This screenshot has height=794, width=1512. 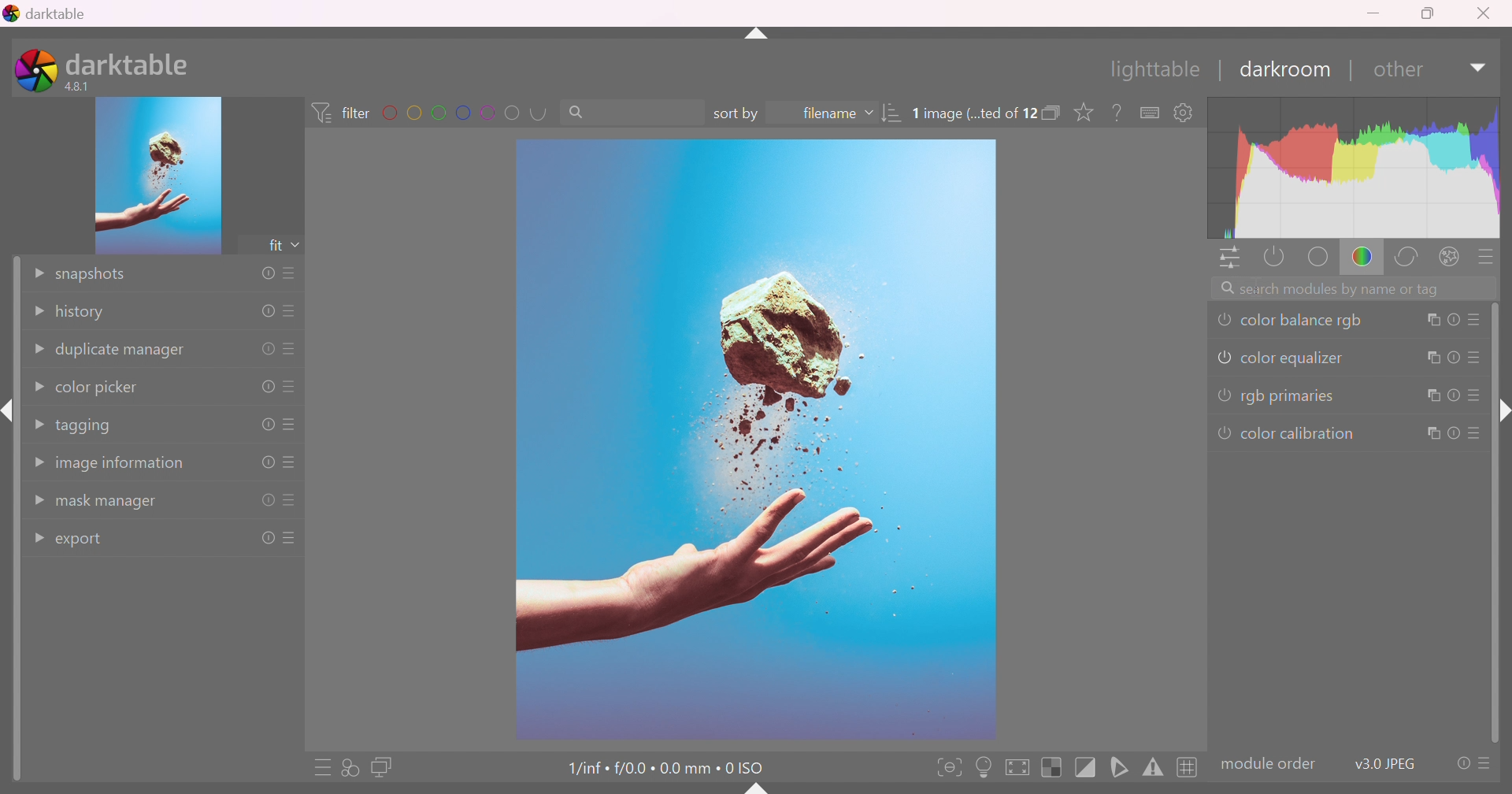 What do you see at coordinates (1221, 355) in the screenshot?
I see `'color equalizer' is switched off` at bounding box center [1221, 355].